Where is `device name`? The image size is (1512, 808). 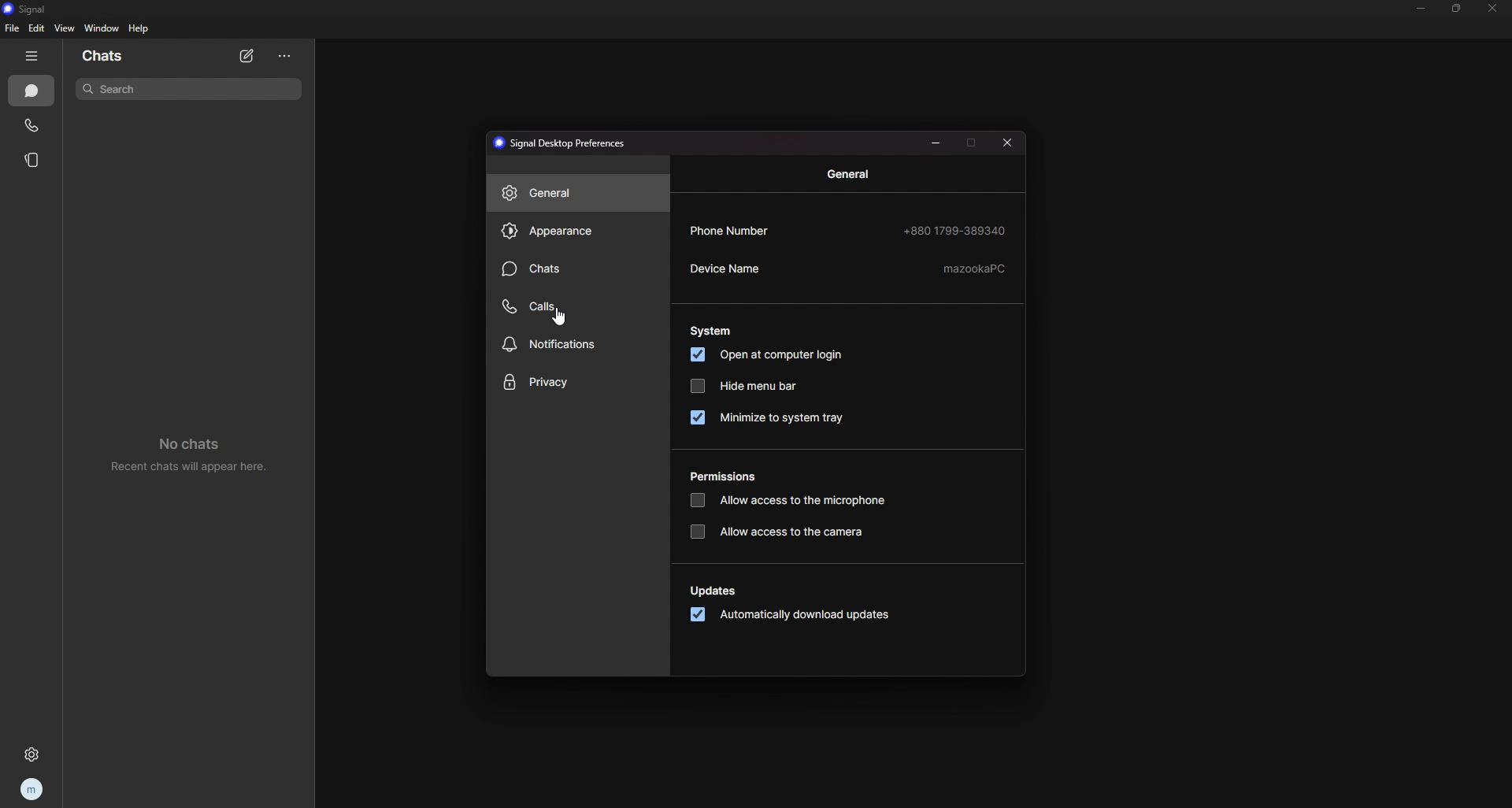 device name is located at coordinates (751, 269).